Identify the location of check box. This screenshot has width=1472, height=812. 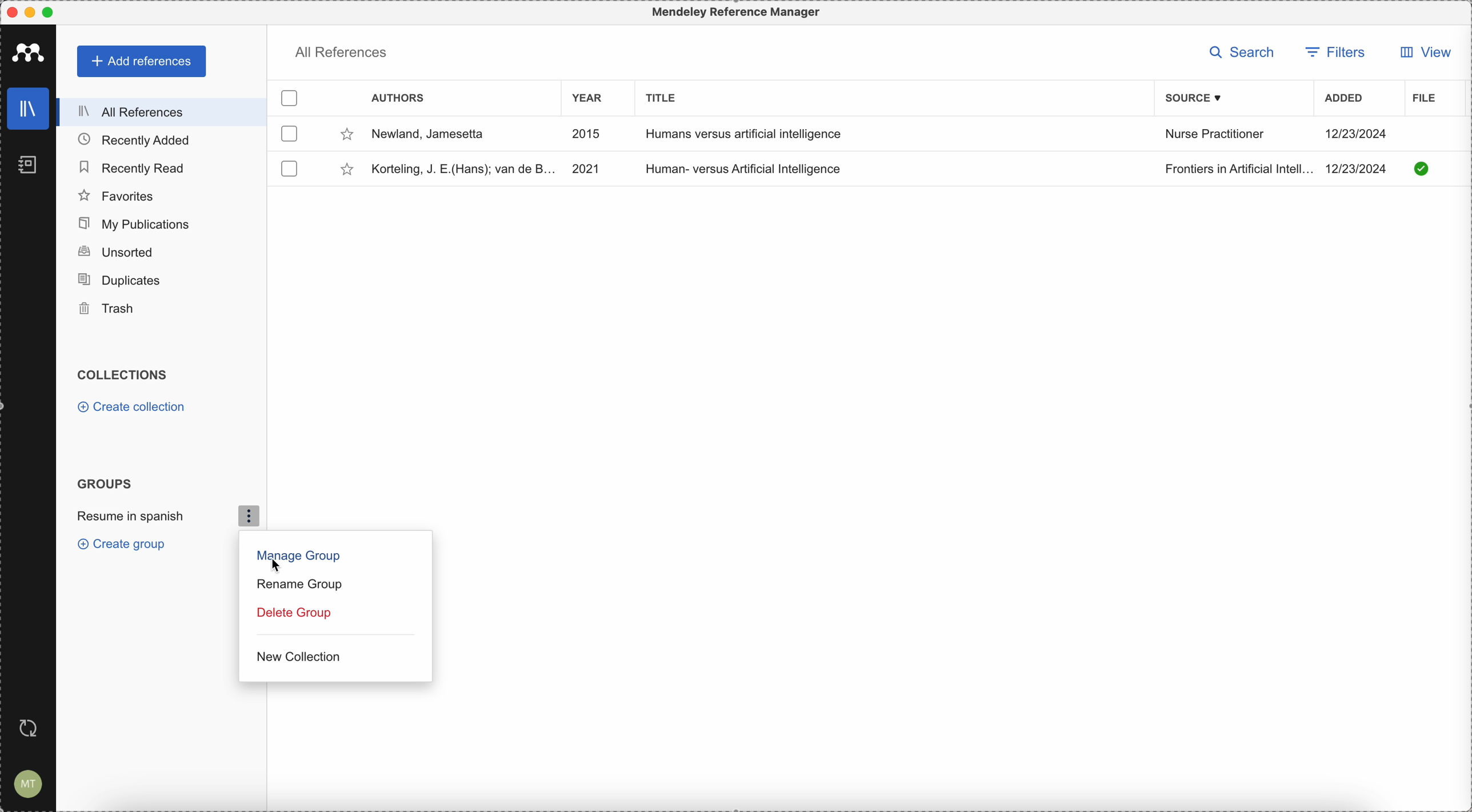
(291, 99).